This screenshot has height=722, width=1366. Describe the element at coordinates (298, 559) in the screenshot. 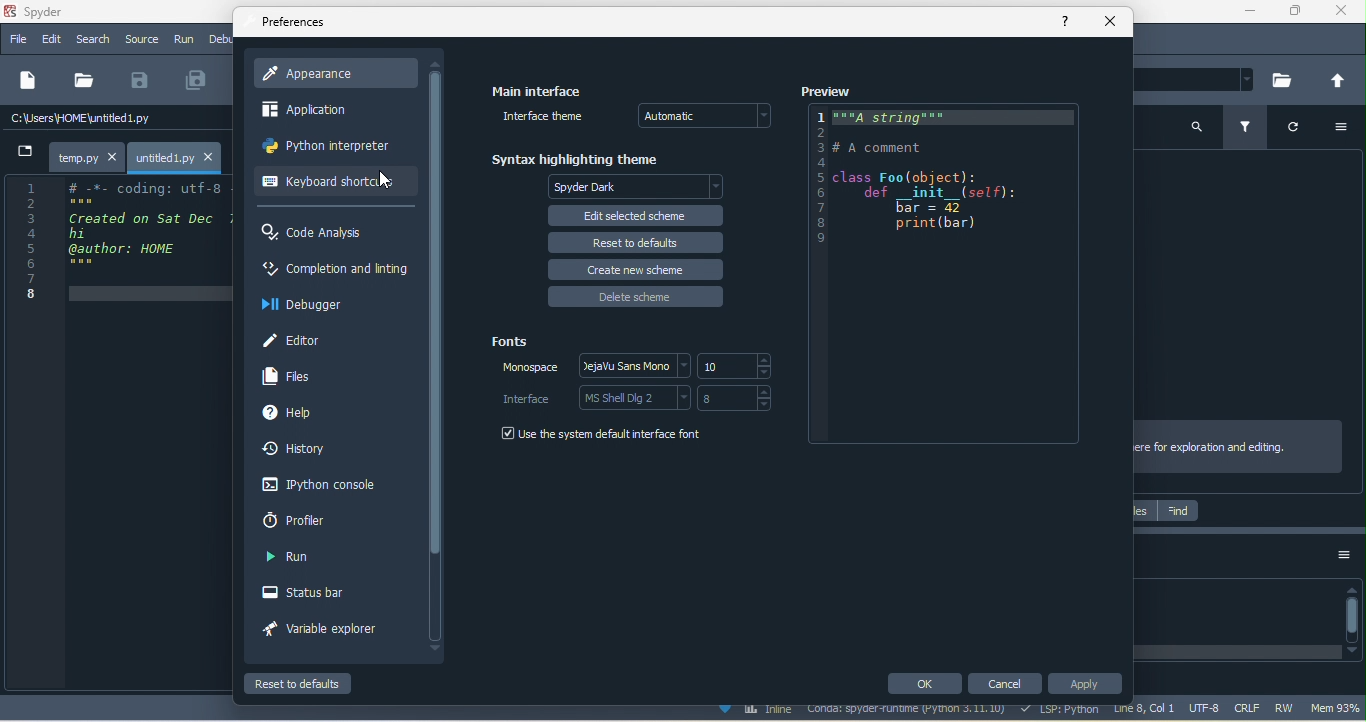

I see `run` at that location.